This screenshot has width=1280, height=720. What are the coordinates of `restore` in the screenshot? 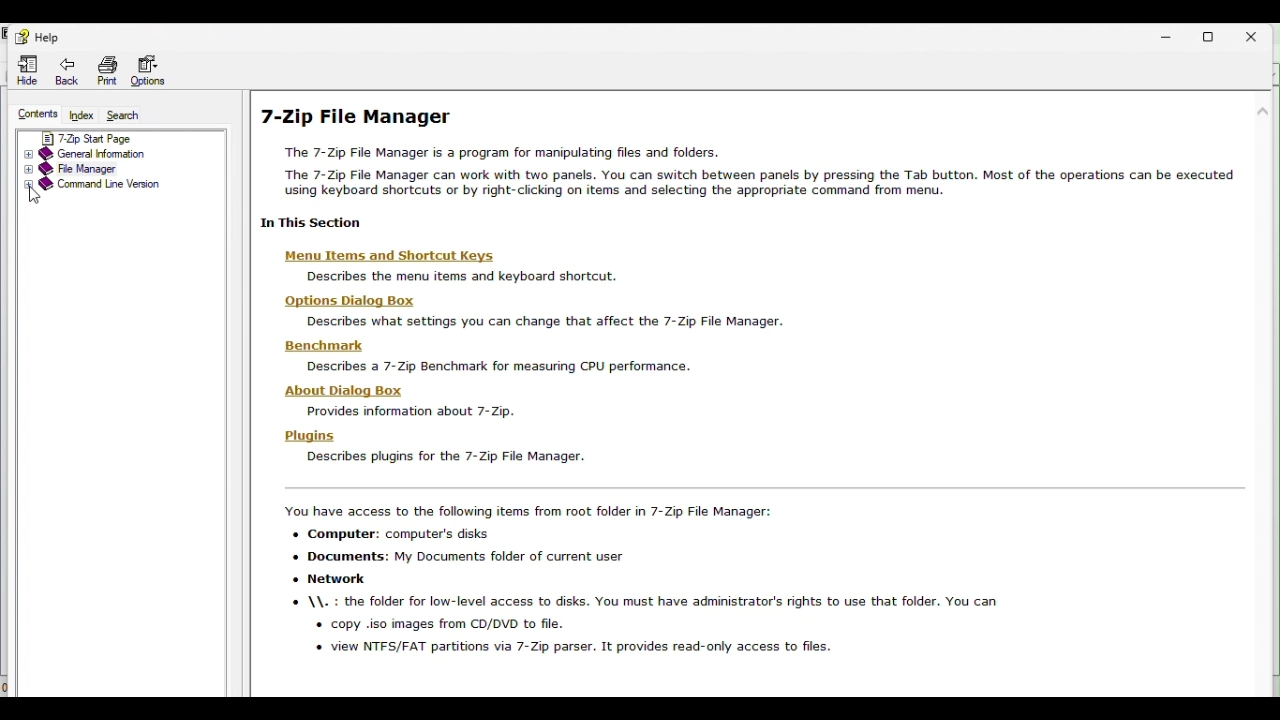 It's located at (1215, 34).